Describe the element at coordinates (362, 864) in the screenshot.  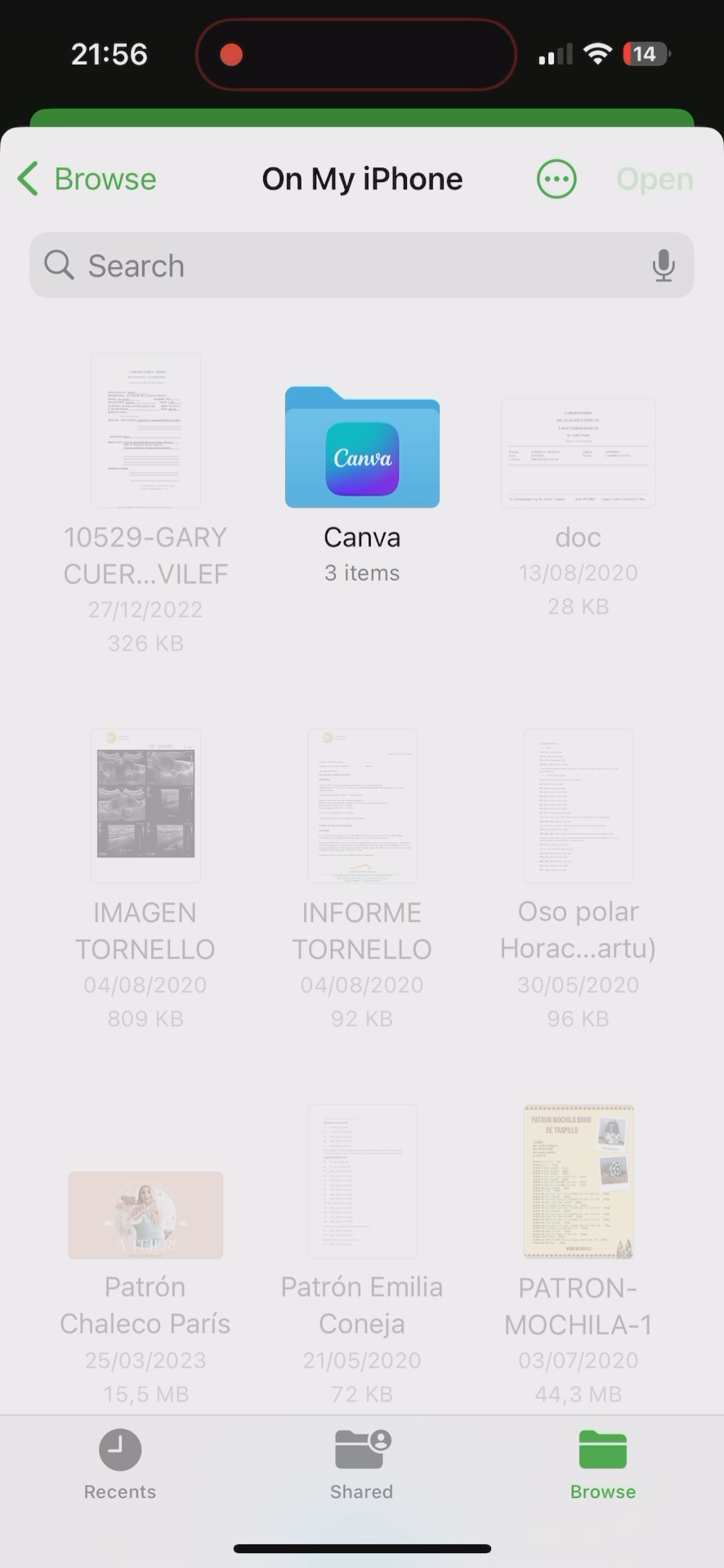
I see `INFORME
TORNELLO` at that location.